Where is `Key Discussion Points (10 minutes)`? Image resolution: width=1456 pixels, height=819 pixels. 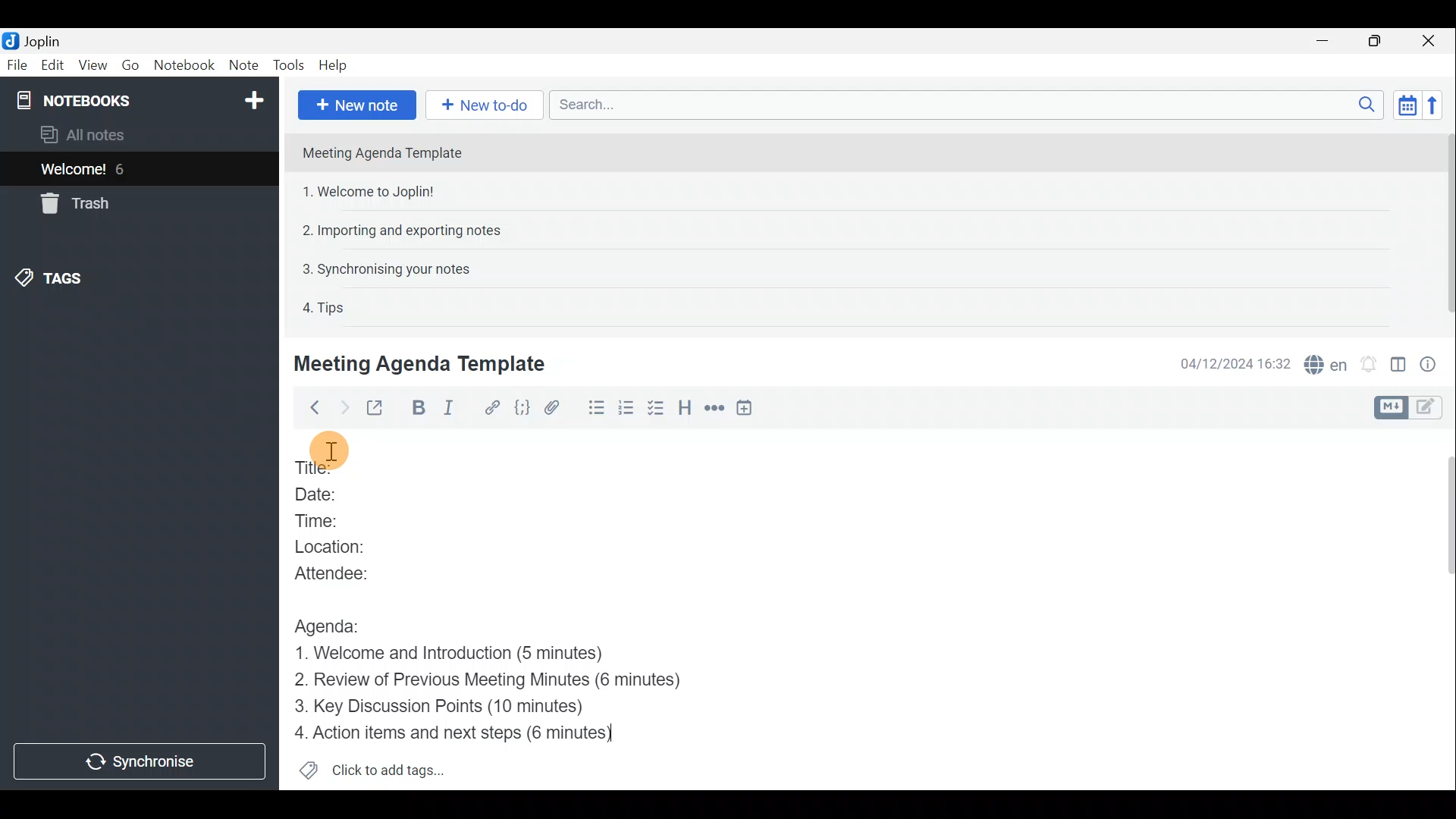 Key Discussion Points (10 minutes) is located at coordinates (449, 708).